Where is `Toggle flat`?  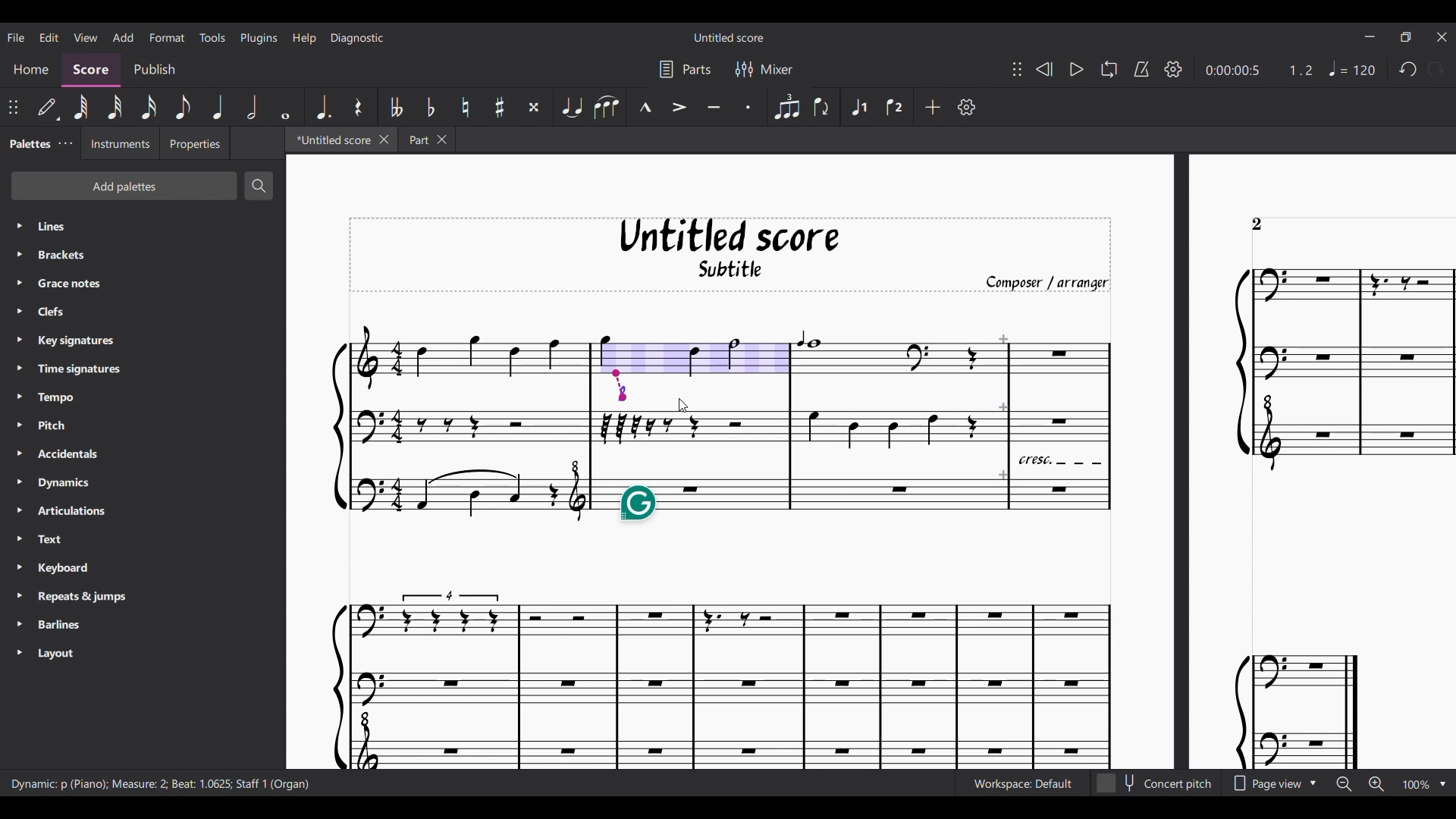 Toggle flat is located at coordinates (431, 106).